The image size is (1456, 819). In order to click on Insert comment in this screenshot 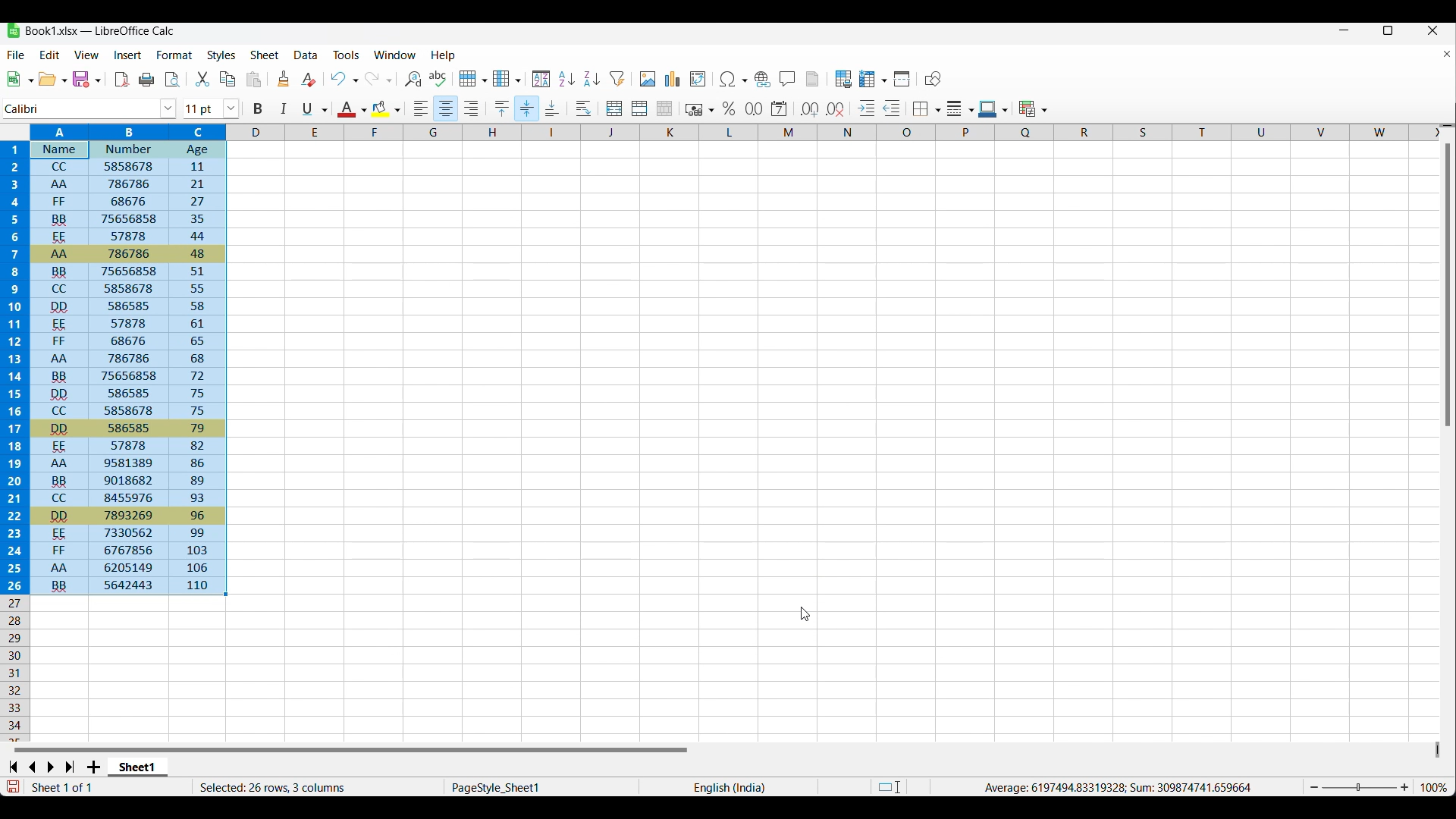, I will do `click(788, 78)`.